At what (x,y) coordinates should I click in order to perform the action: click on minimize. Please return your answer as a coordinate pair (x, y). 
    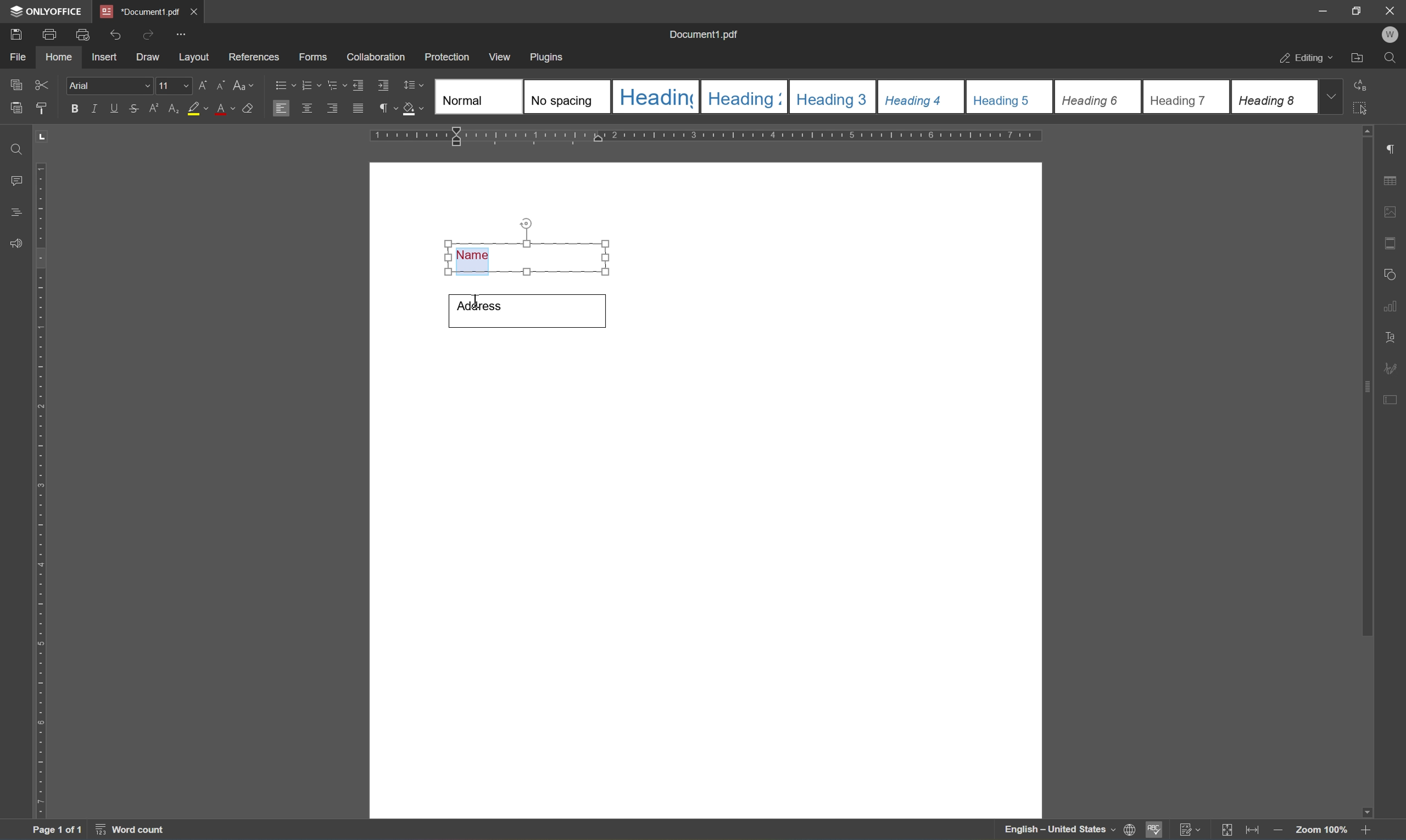
    Looking at the image, I should click on (1323, 10).